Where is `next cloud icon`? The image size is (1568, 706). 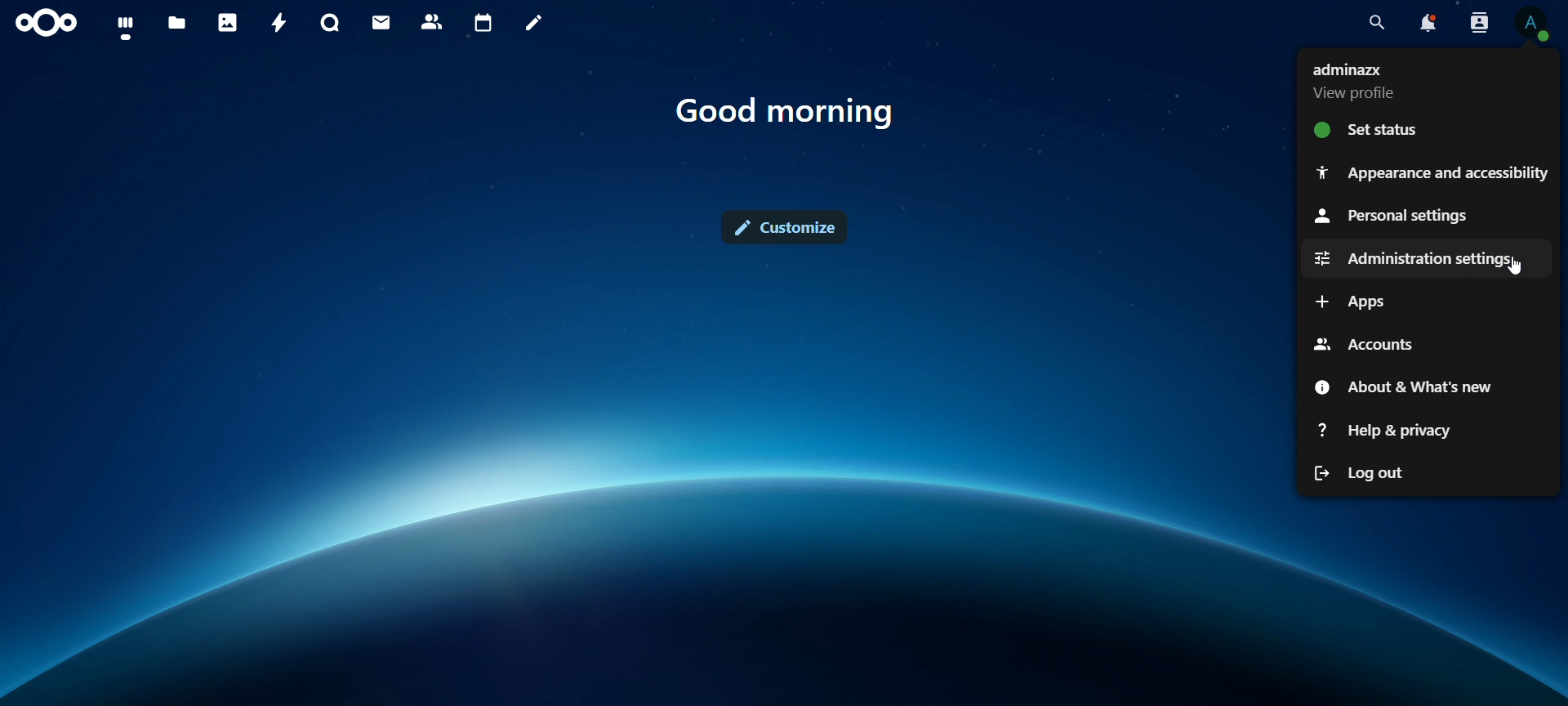
next cloud icon is located at coordinates (47, 24).